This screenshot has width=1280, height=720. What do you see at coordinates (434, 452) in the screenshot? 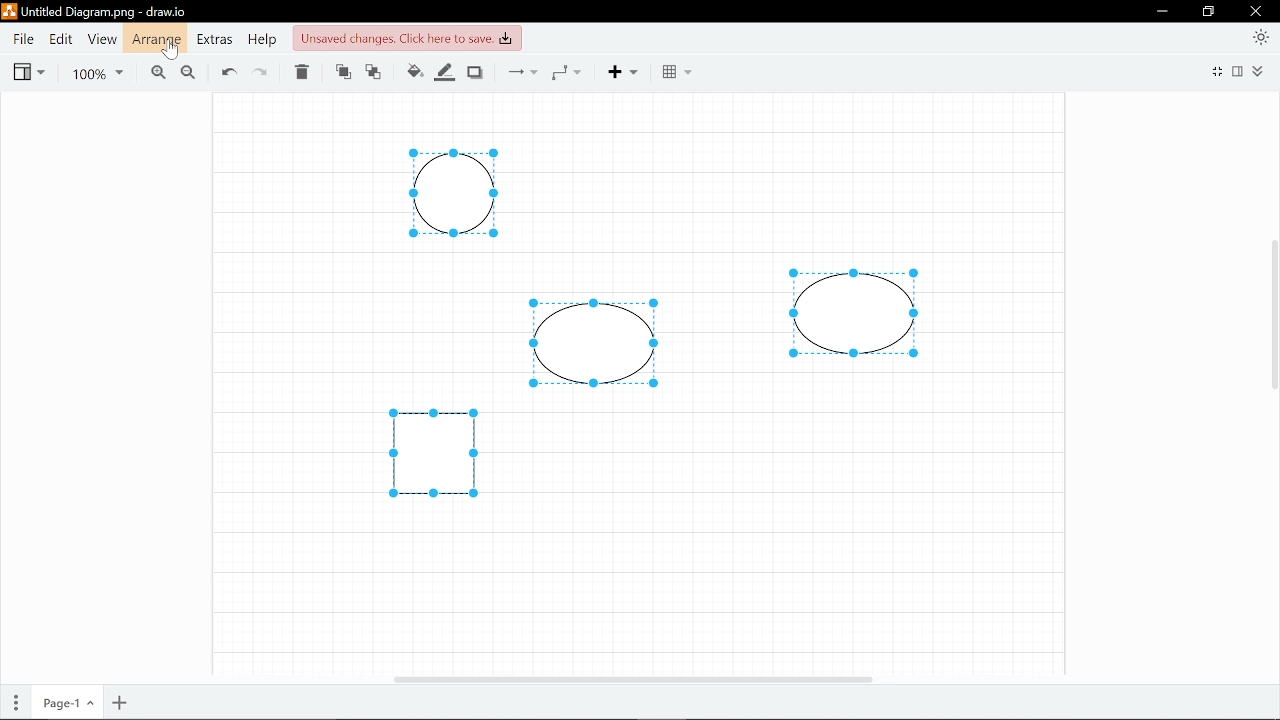
I see `Diagram` at bounding box center [434, 452].